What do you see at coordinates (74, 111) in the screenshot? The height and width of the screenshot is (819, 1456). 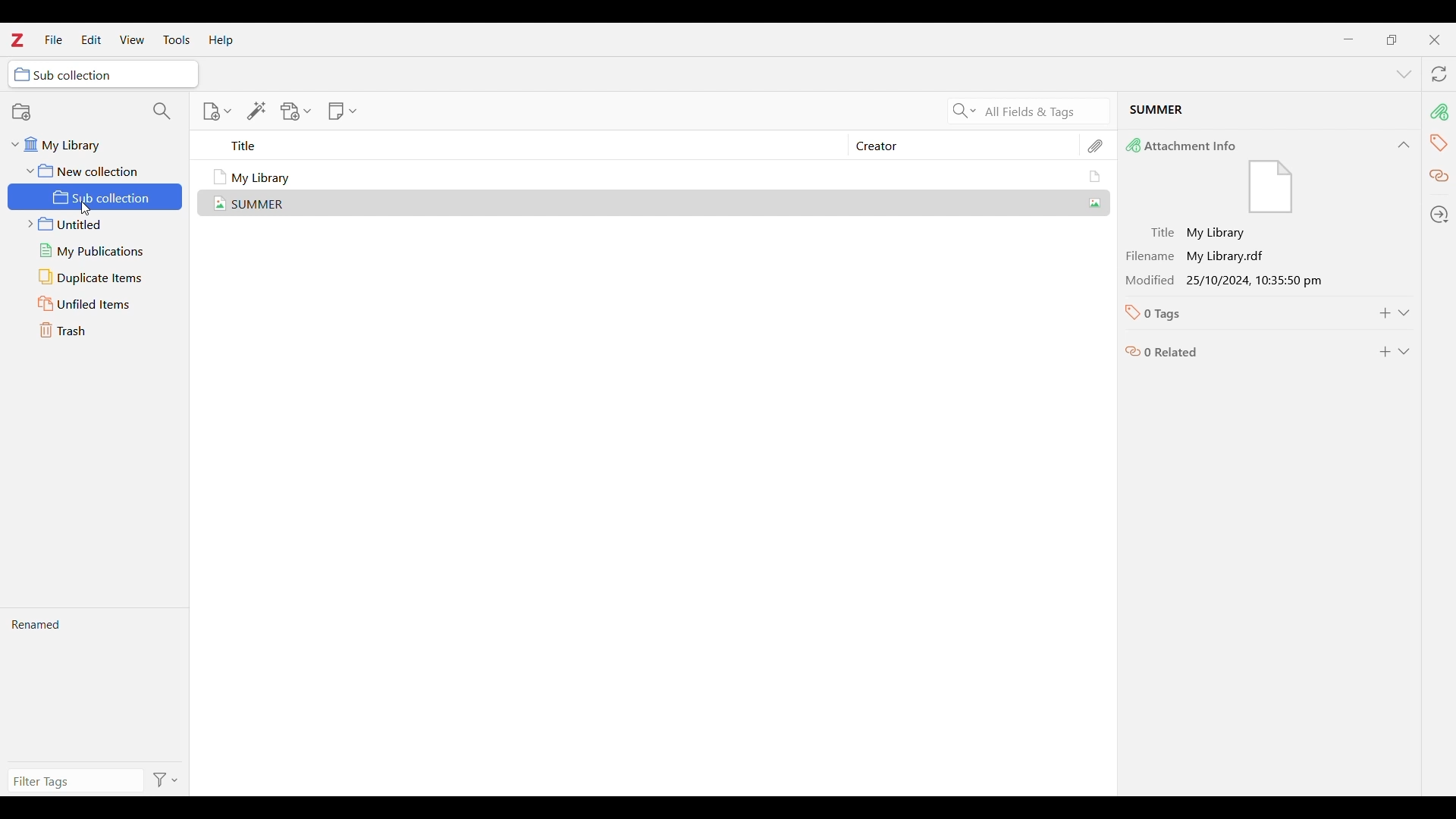 I see `New collection` at bounding box center [74, 111].